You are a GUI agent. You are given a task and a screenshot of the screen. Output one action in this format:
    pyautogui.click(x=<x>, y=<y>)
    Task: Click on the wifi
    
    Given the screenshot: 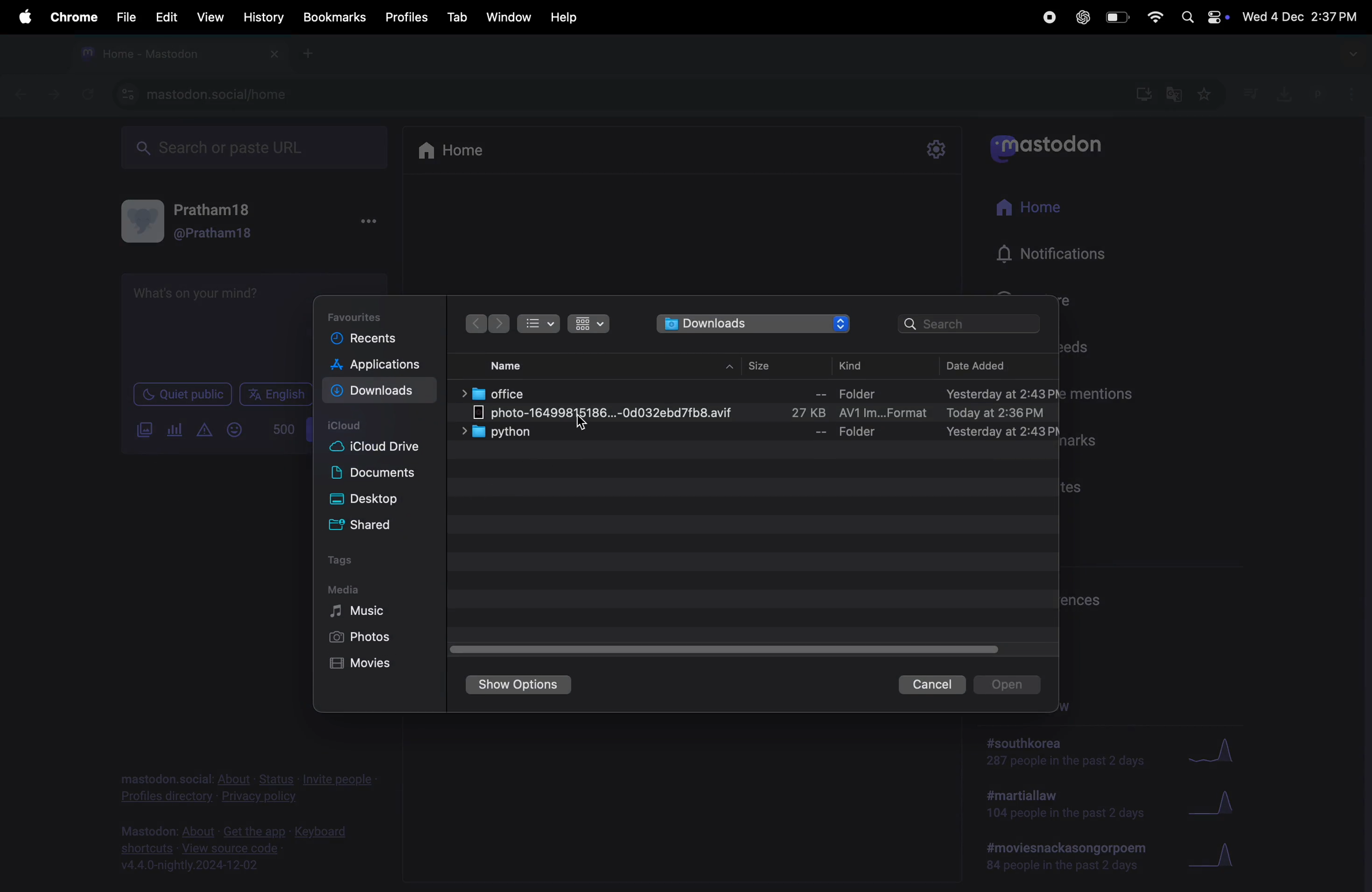 What is the action you would take?
    pyautogui.click(x=1153, y=17)
    